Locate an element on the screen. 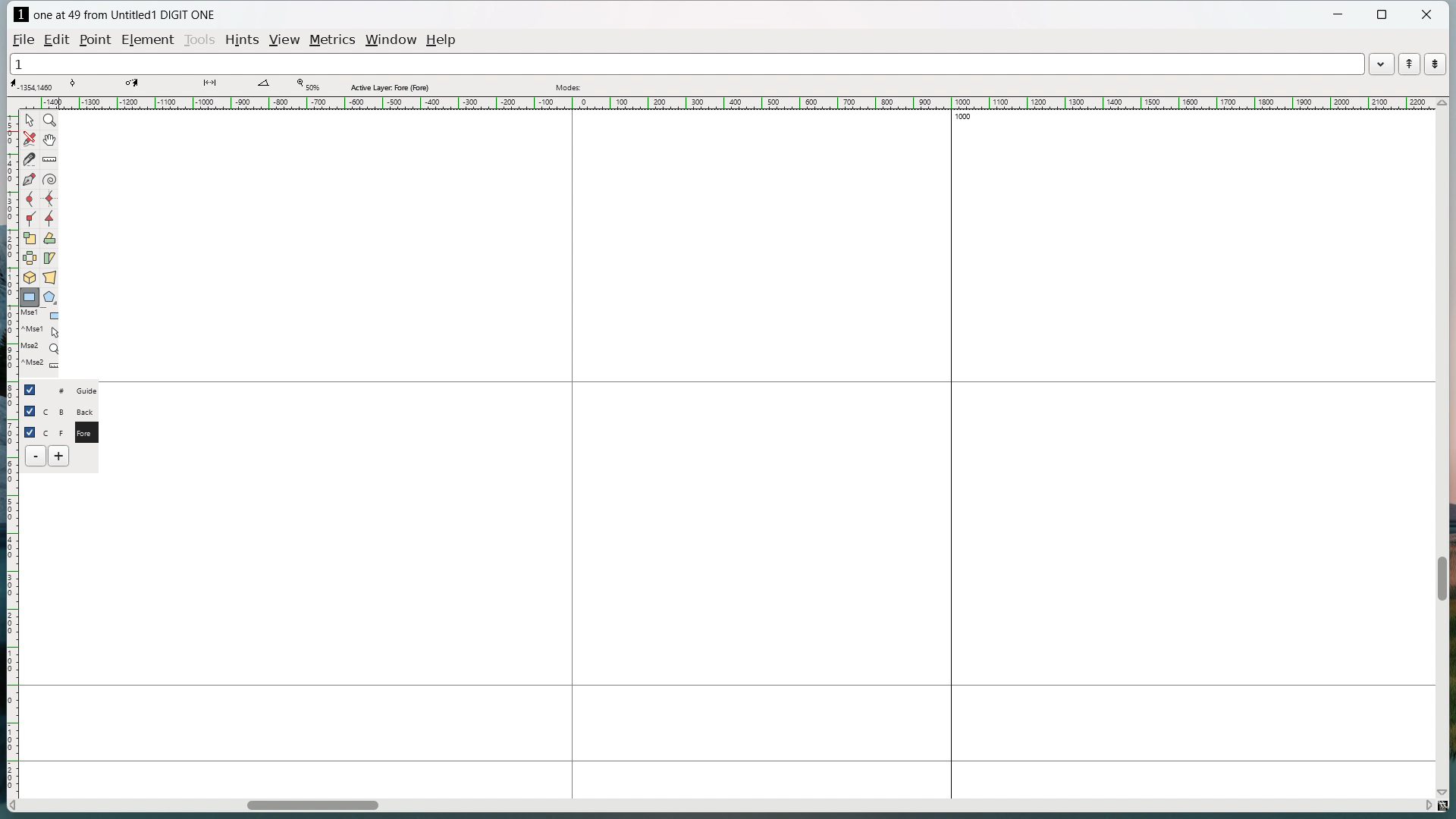 The width and height of the screenshot is (1456, 819). checkbox is located at coordinates (33, 389).